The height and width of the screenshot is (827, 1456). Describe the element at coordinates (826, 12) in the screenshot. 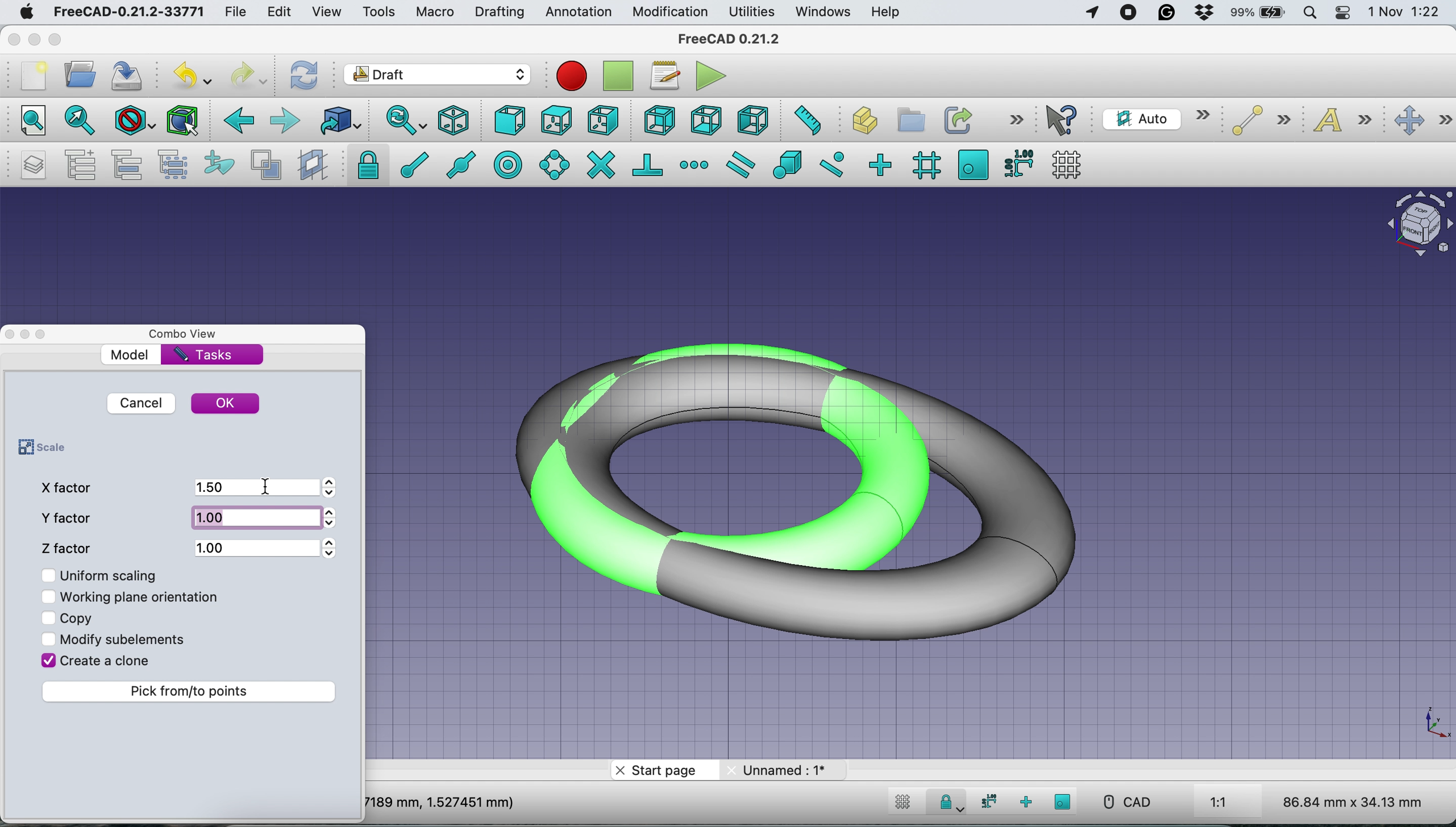

I see `windows` at that location.